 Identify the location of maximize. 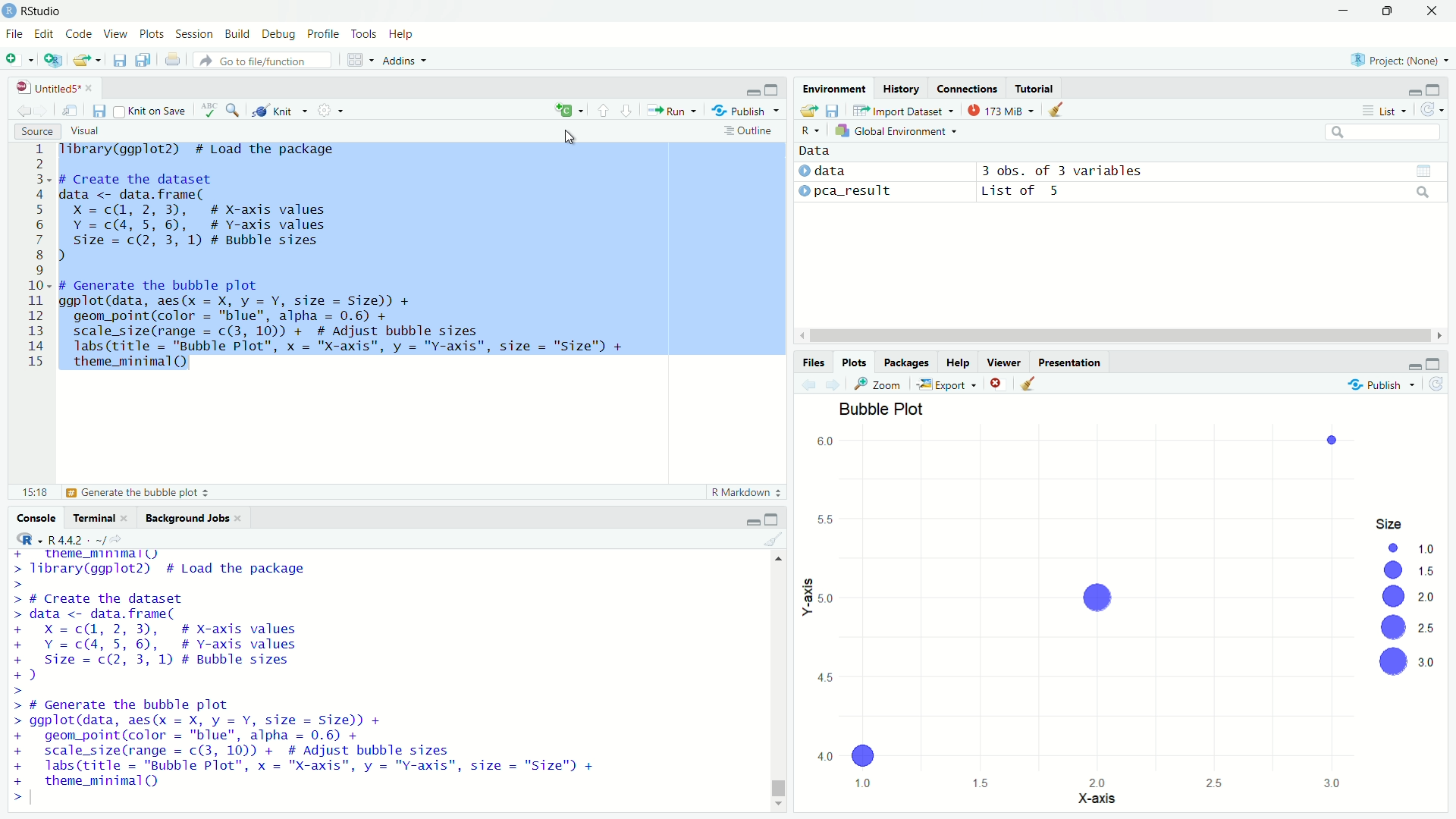
(1436, 88).